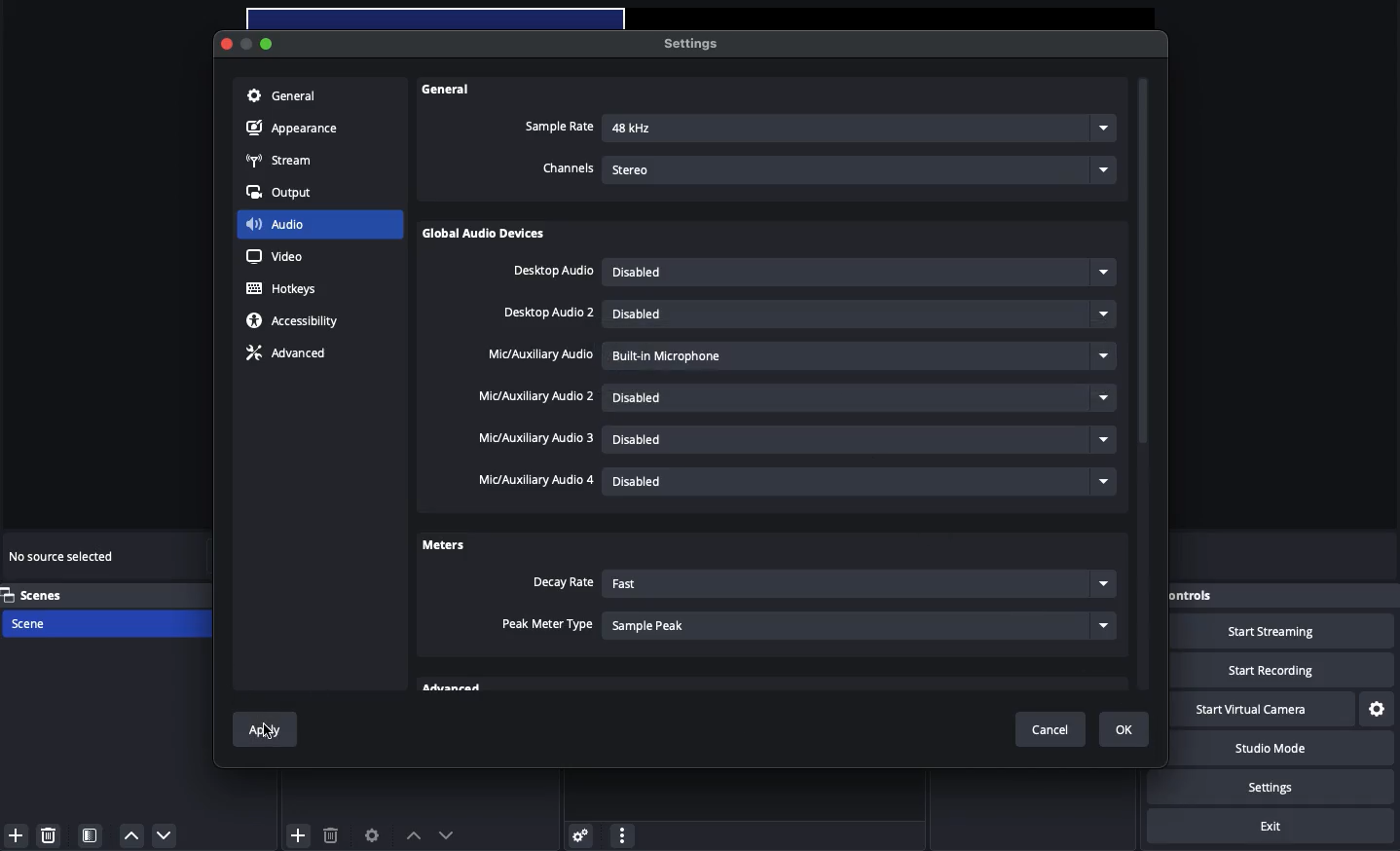 This screenshot has width=1400, height=851. Describe the element at coordinates (275, 256) in the screenshot. I see `Video` at that location.